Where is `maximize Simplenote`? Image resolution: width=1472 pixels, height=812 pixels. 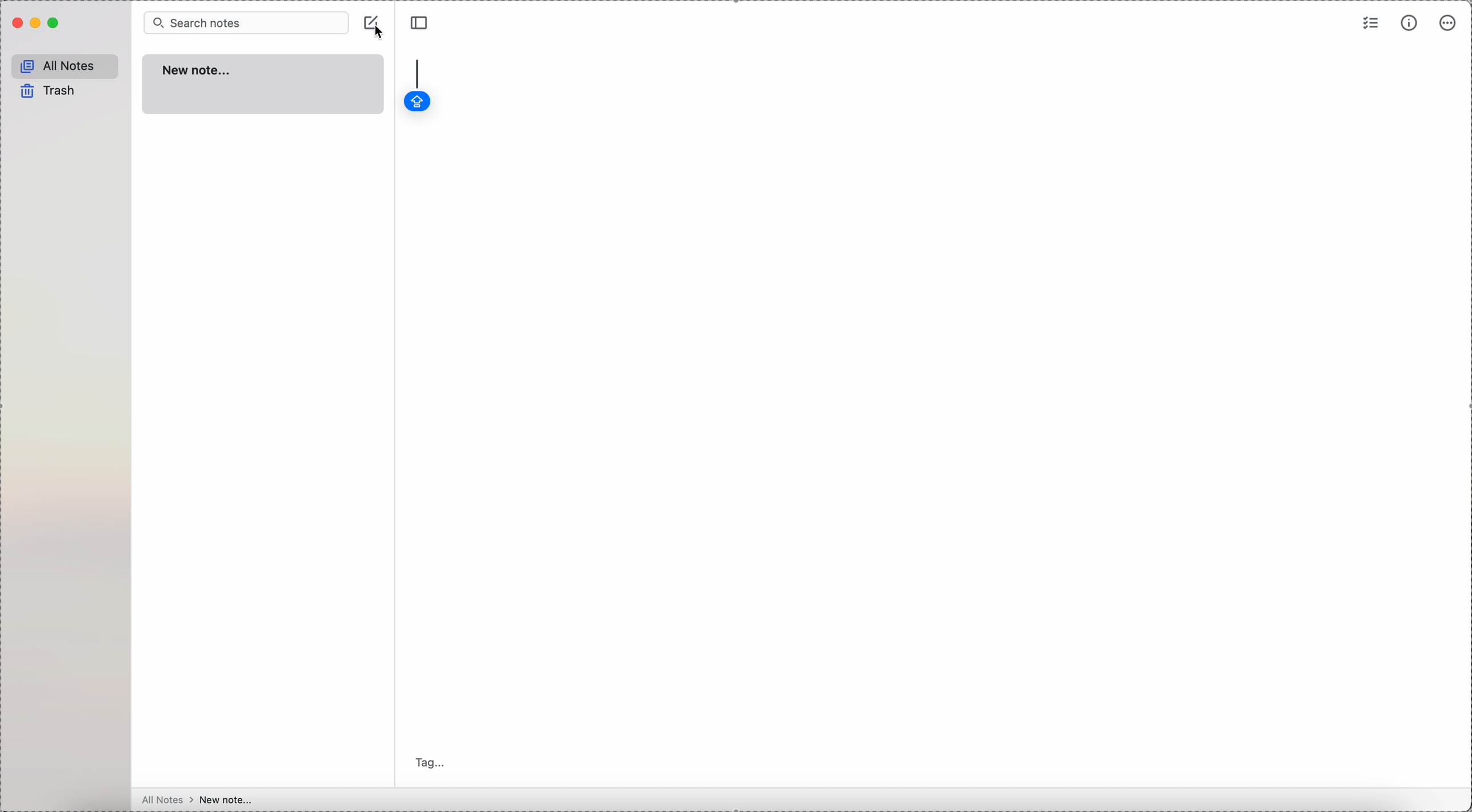 maximize Simplenote is located at coordinates (55, 23).